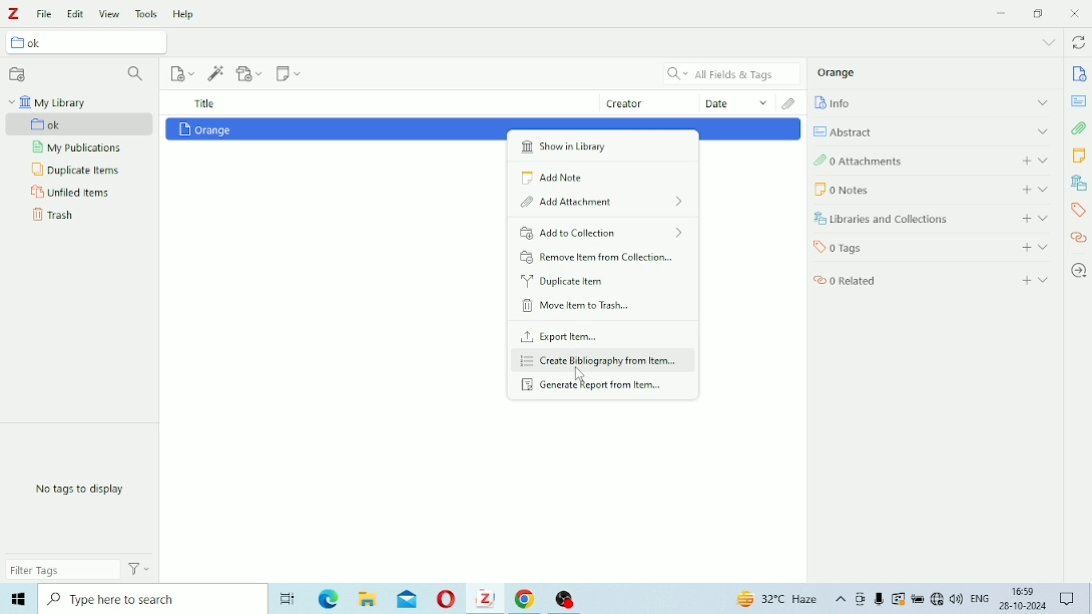 This screenshot has width=1092, height=614. Describe the element at coordinates (330, 600) in the screenshot. I see `Microsoft Edge` at that location.